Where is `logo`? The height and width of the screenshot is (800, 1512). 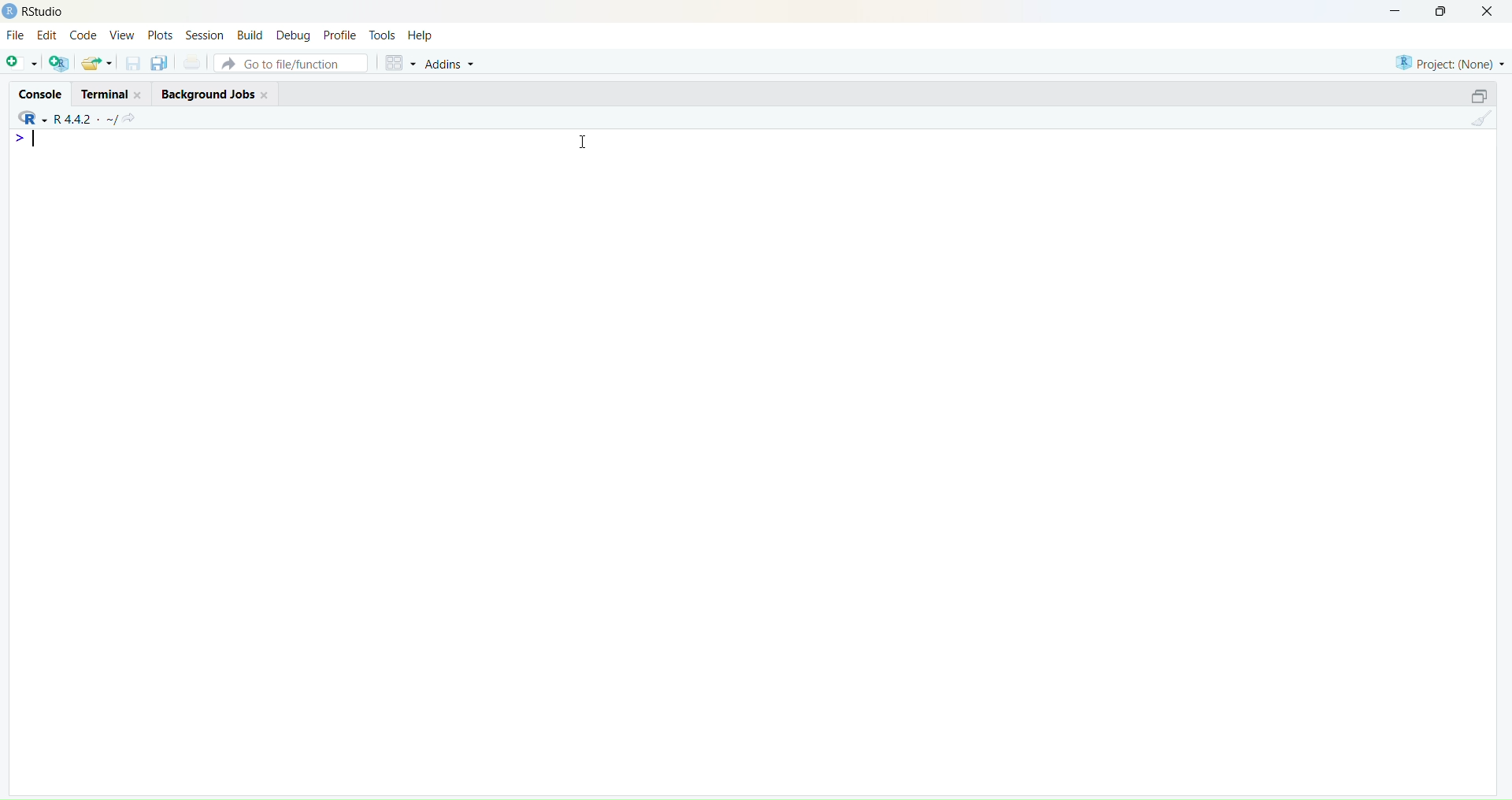 logo is located at coordinates (11, 12).